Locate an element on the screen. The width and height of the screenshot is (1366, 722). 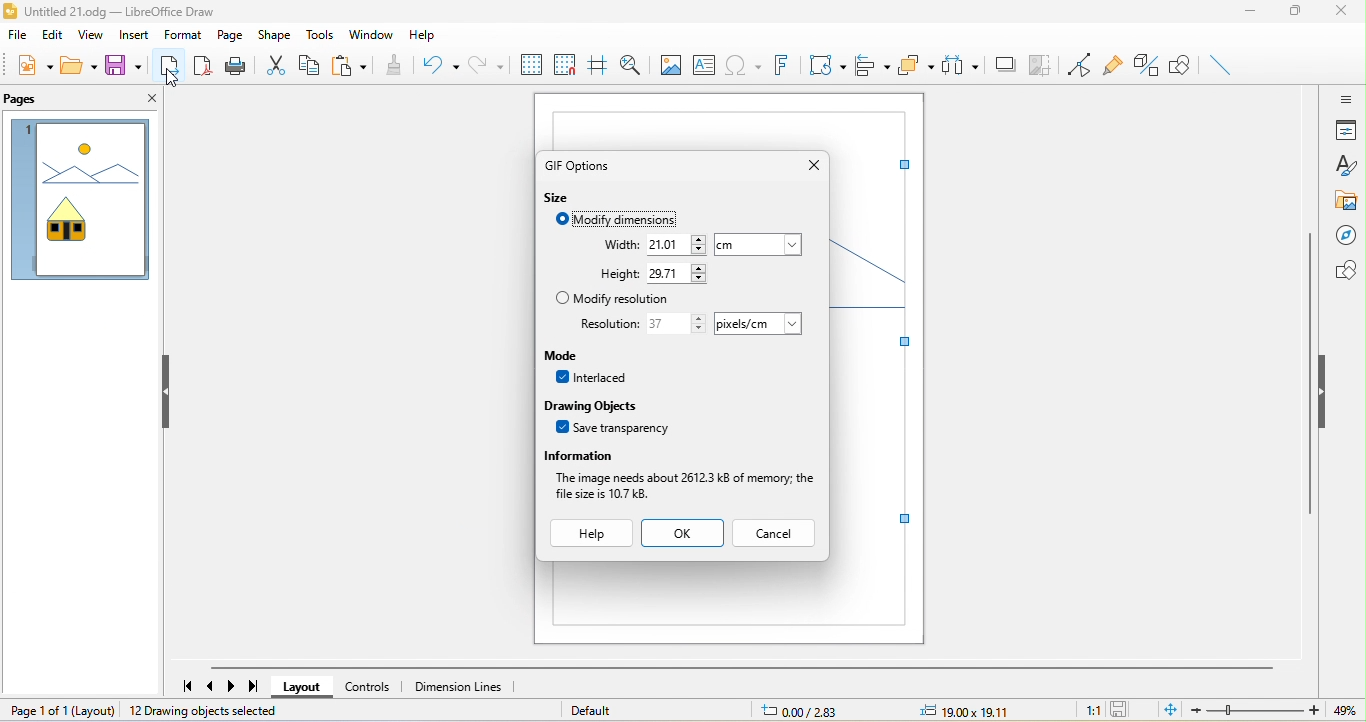
export as pdf is located at coordinates (202, 64).